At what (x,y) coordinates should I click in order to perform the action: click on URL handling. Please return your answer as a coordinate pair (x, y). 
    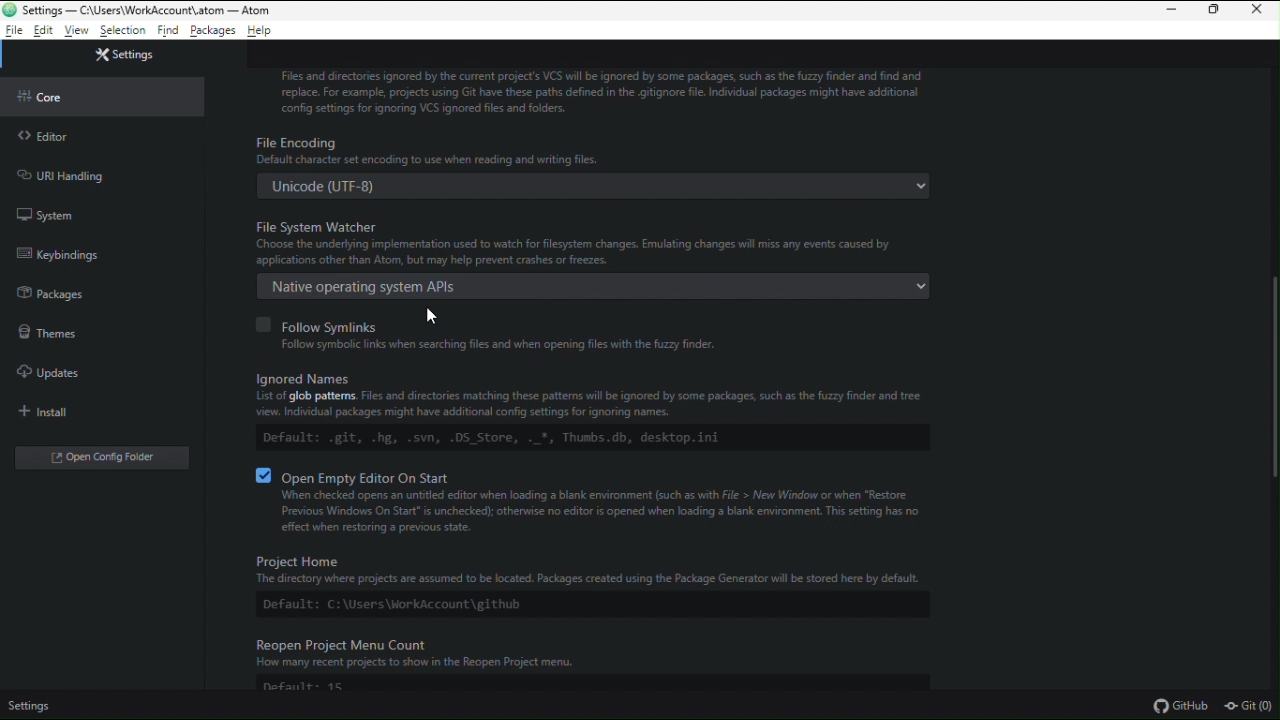
    Looking at the image, I should click on (60, 175).